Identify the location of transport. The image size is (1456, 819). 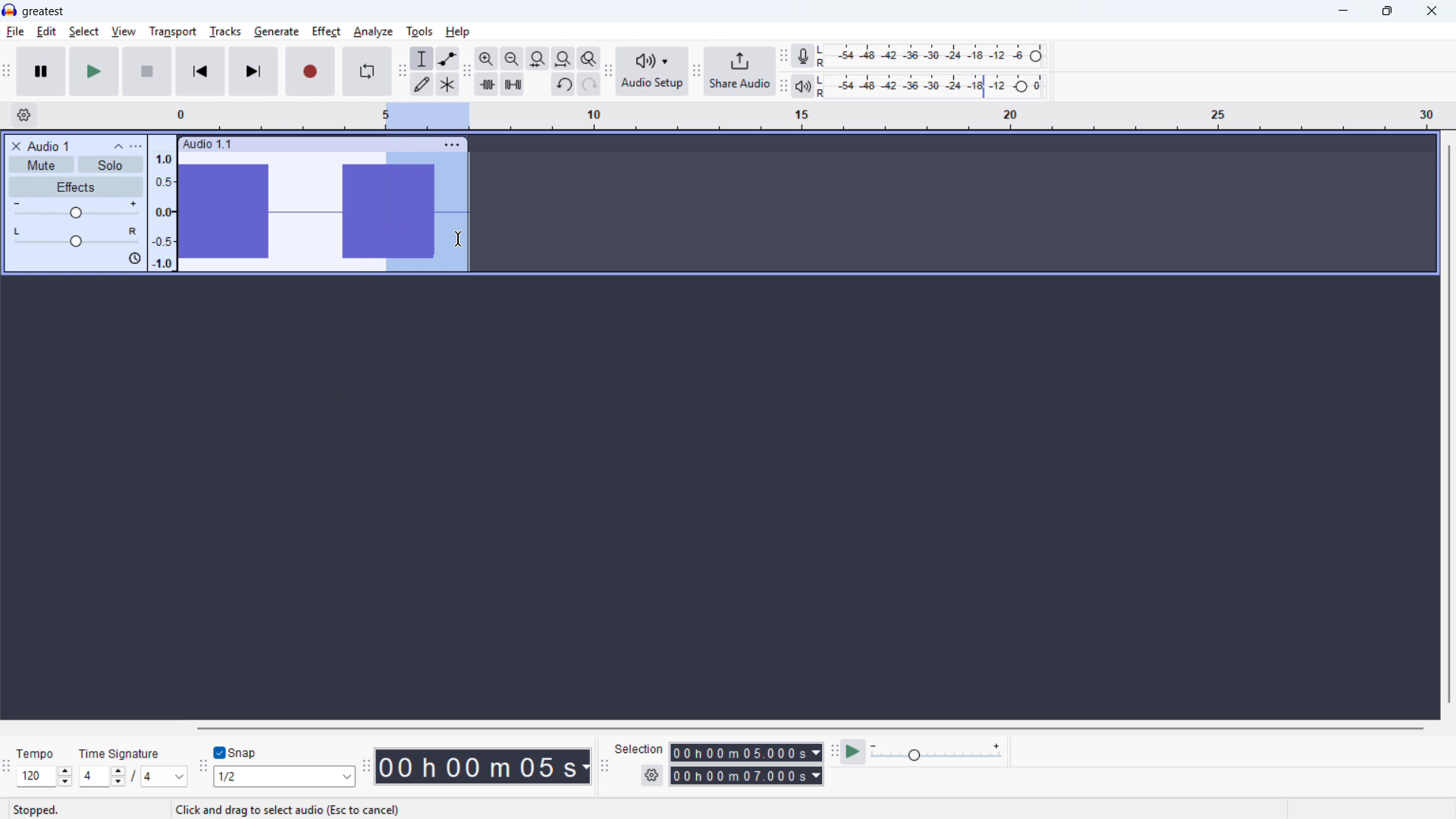
(173, 32).